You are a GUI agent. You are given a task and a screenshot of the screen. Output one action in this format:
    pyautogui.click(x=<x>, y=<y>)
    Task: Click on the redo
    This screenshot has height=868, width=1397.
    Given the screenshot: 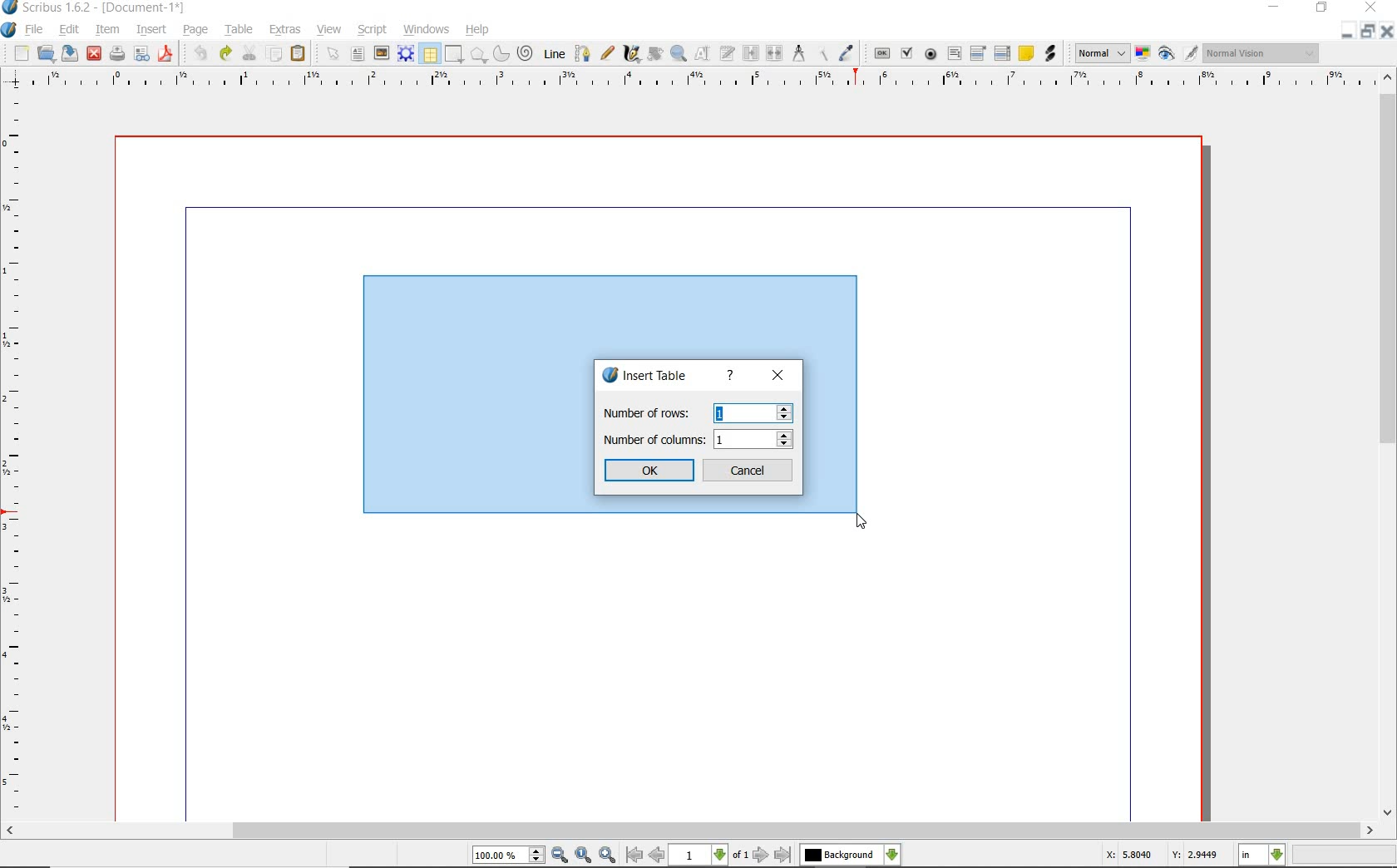 What is the action you would take?
    pyautogui.click(x=225, y=52)
    